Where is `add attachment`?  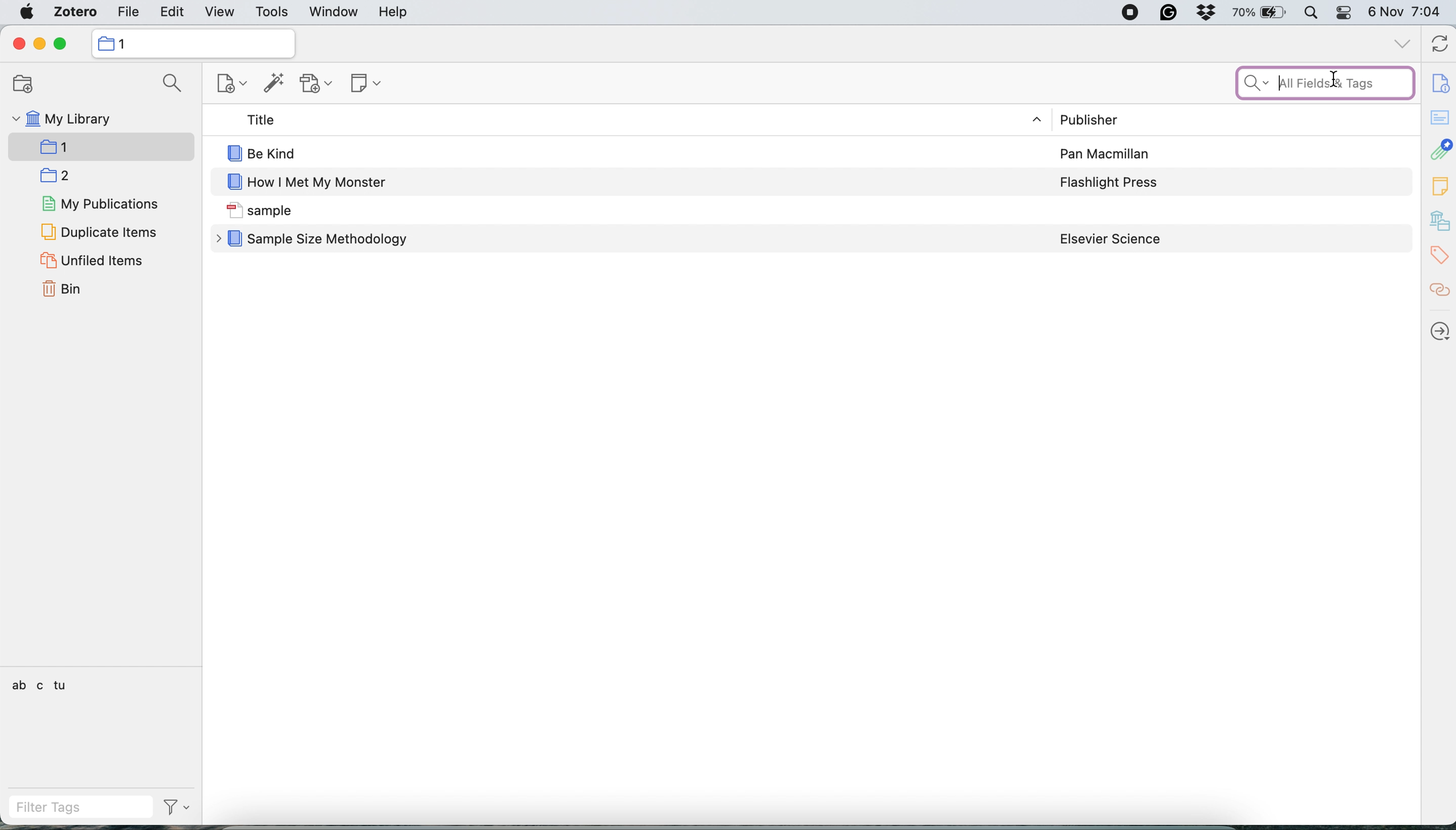 add attachment is located at coordinates (318, 84).